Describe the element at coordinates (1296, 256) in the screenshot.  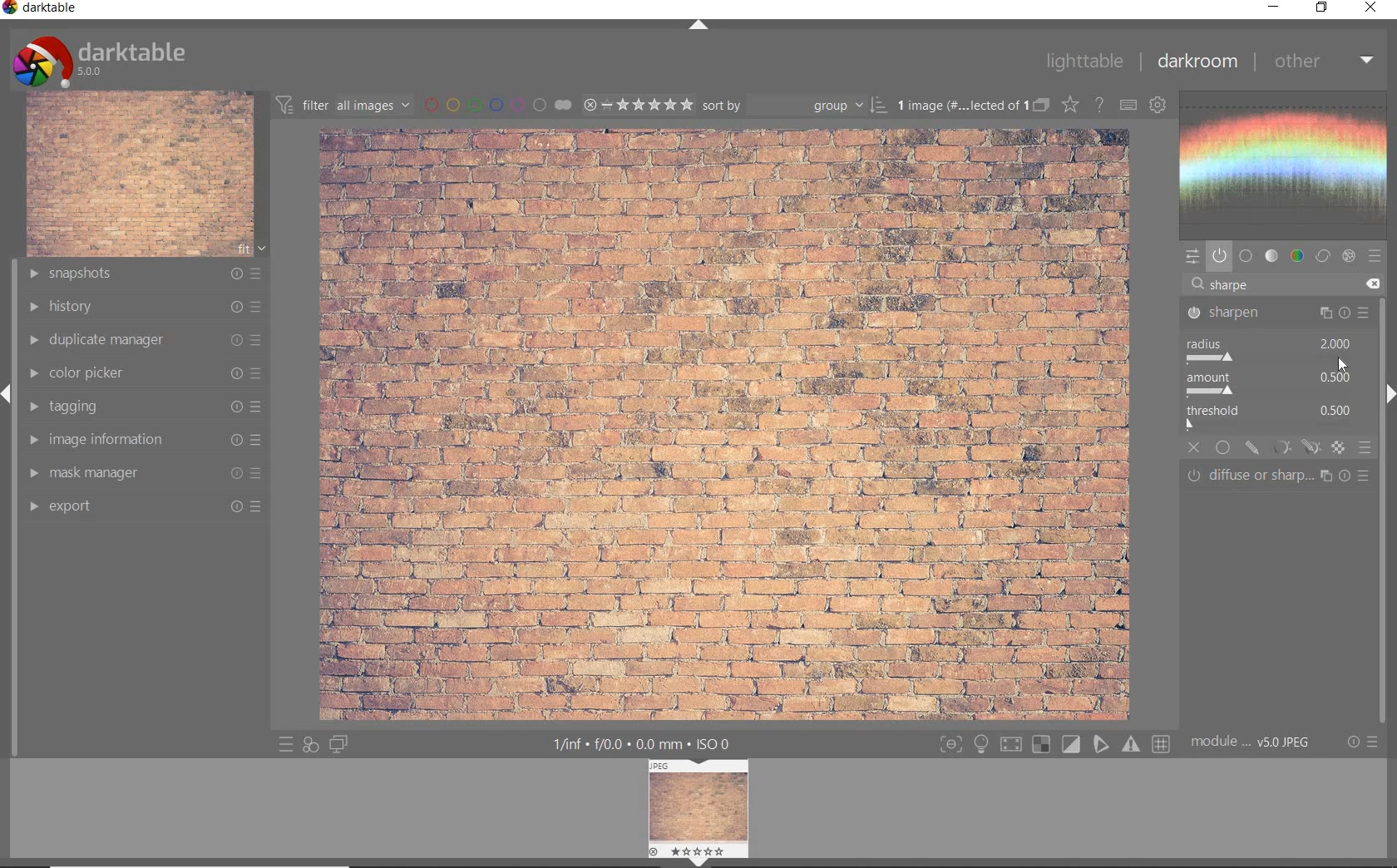
I see `color` at that location.